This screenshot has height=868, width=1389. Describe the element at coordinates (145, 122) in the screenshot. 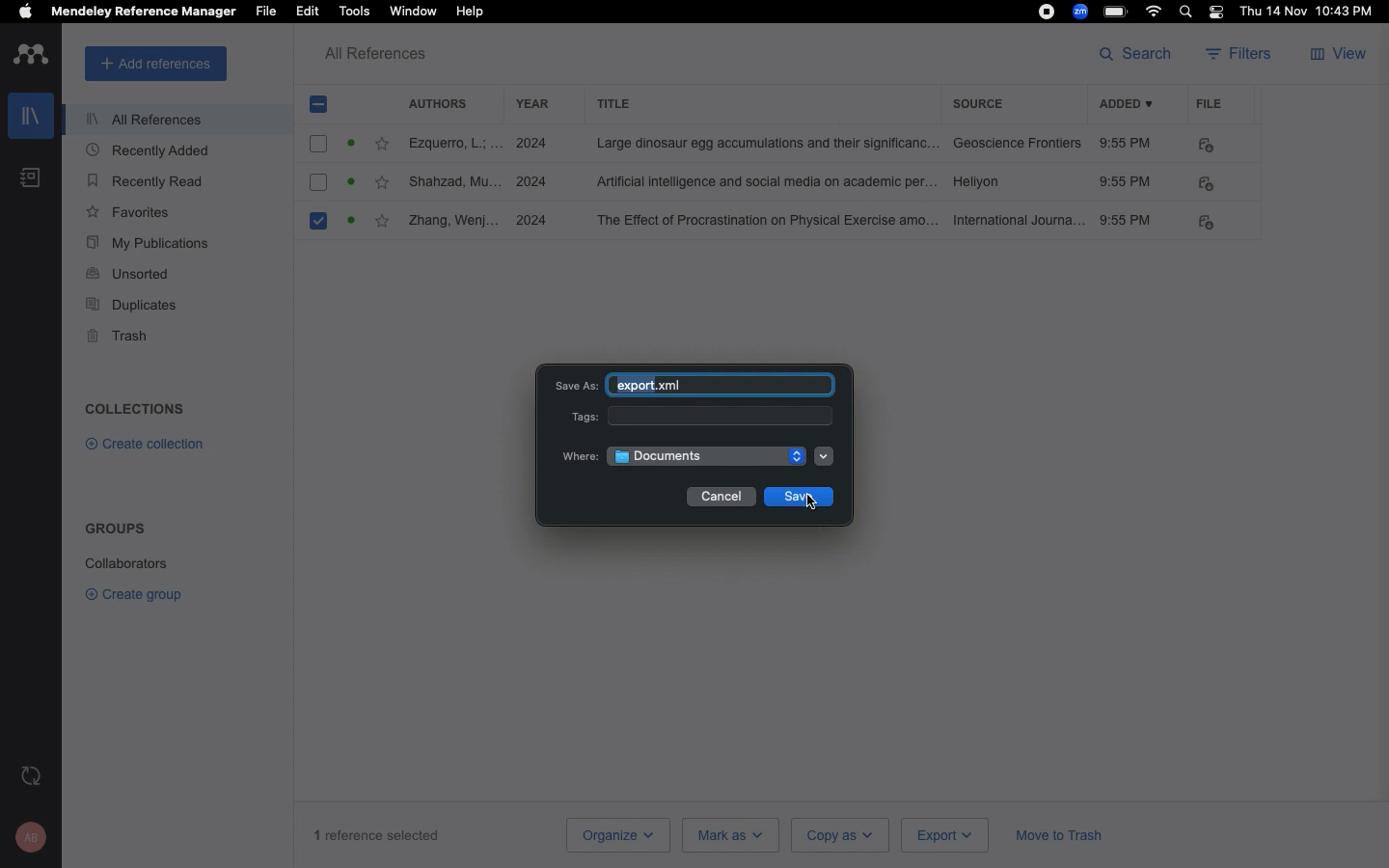

I see `All references` at that location.